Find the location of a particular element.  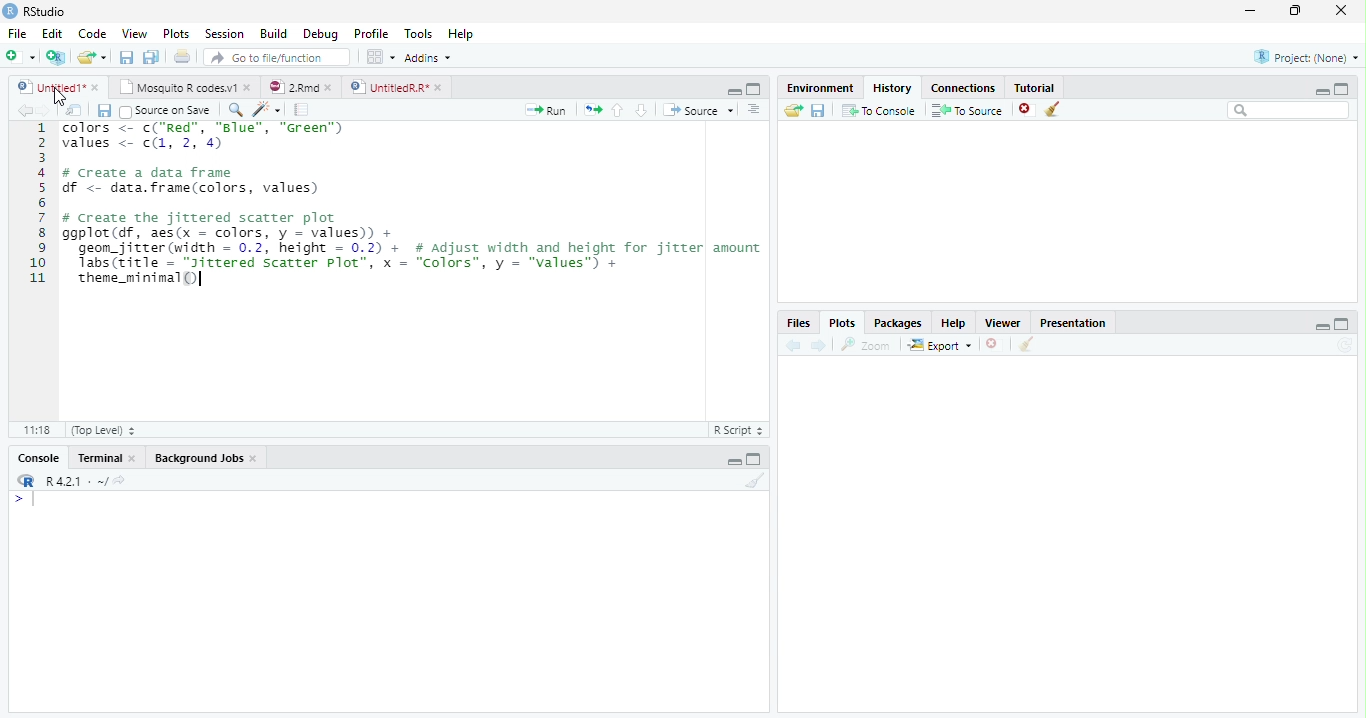

Tutorial is located at coordinates (1035, 87).